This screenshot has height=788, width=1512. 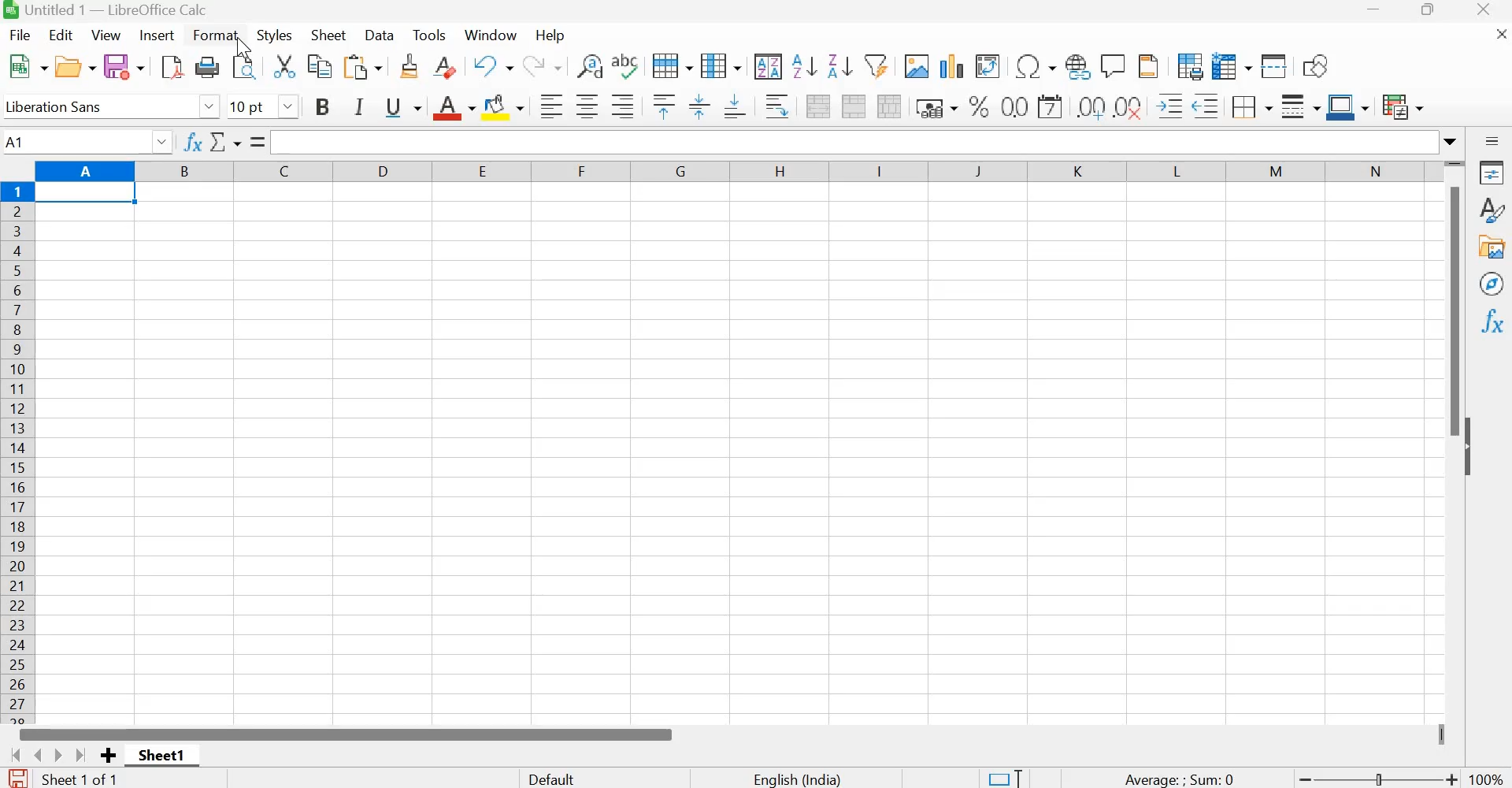 I want to click on Sort, so click(x=769, y=66).